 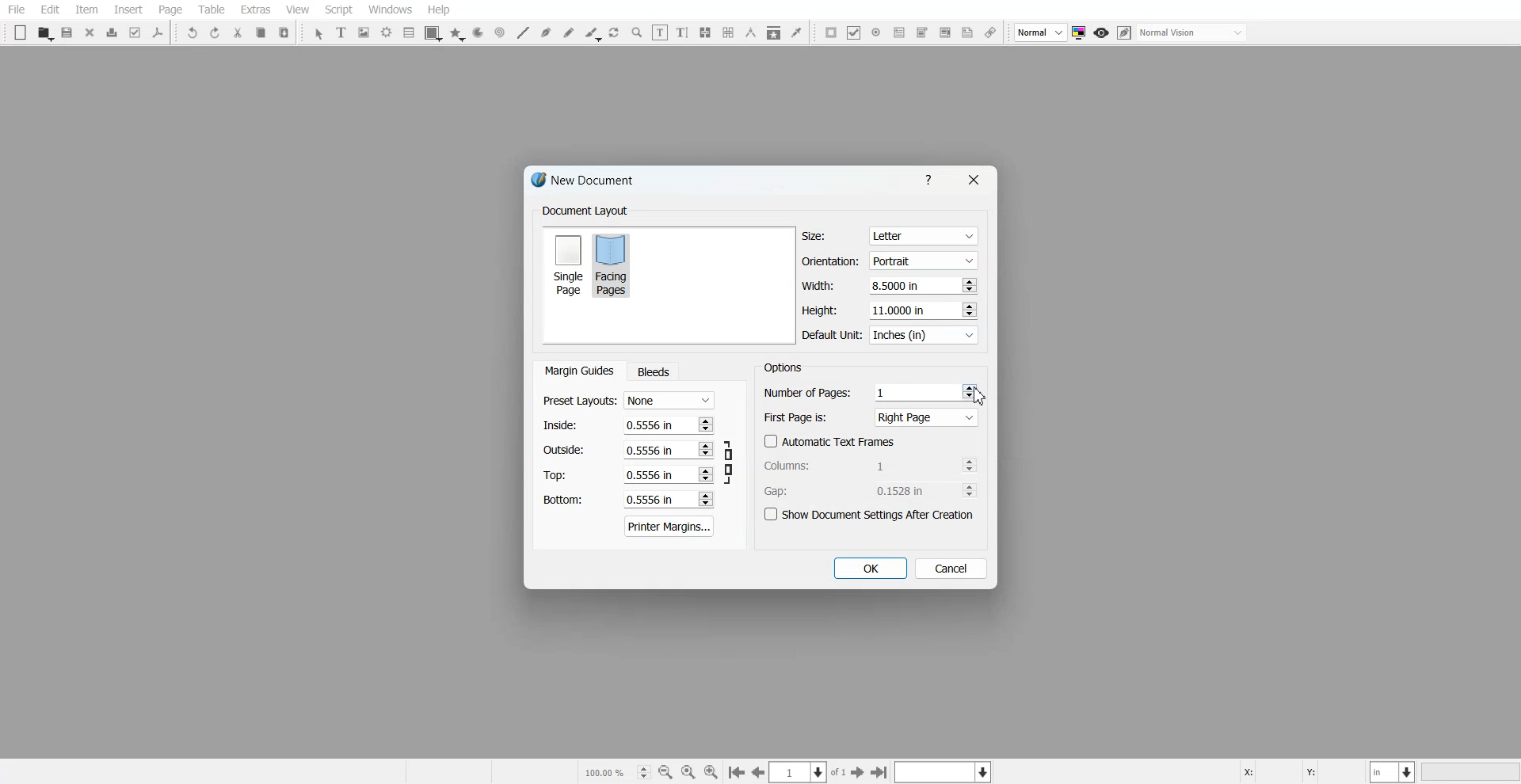 I want to click on Bleeds, so click(x=653, y=371).